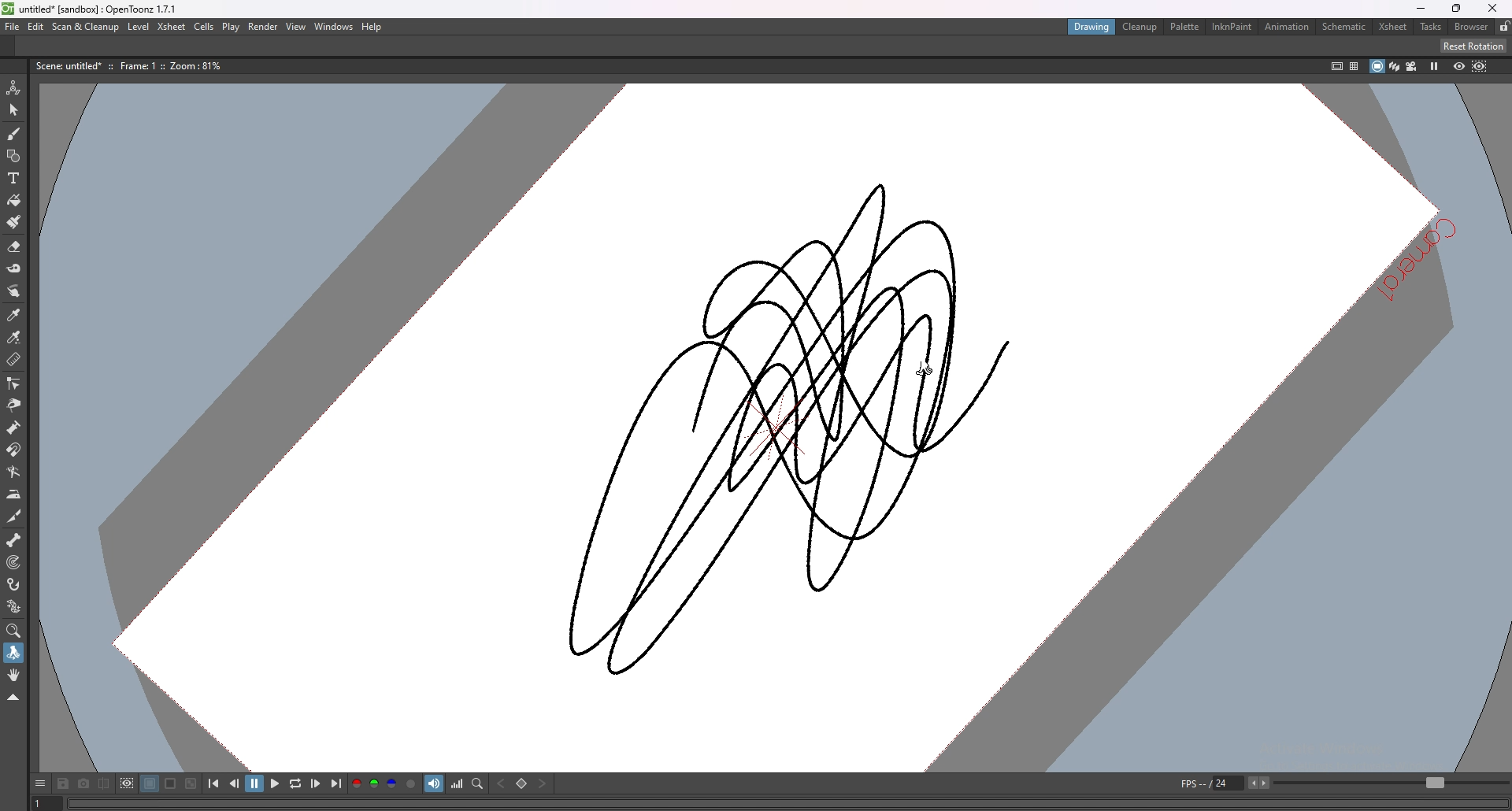  I want to click on soundtrack, so click(434, 784).